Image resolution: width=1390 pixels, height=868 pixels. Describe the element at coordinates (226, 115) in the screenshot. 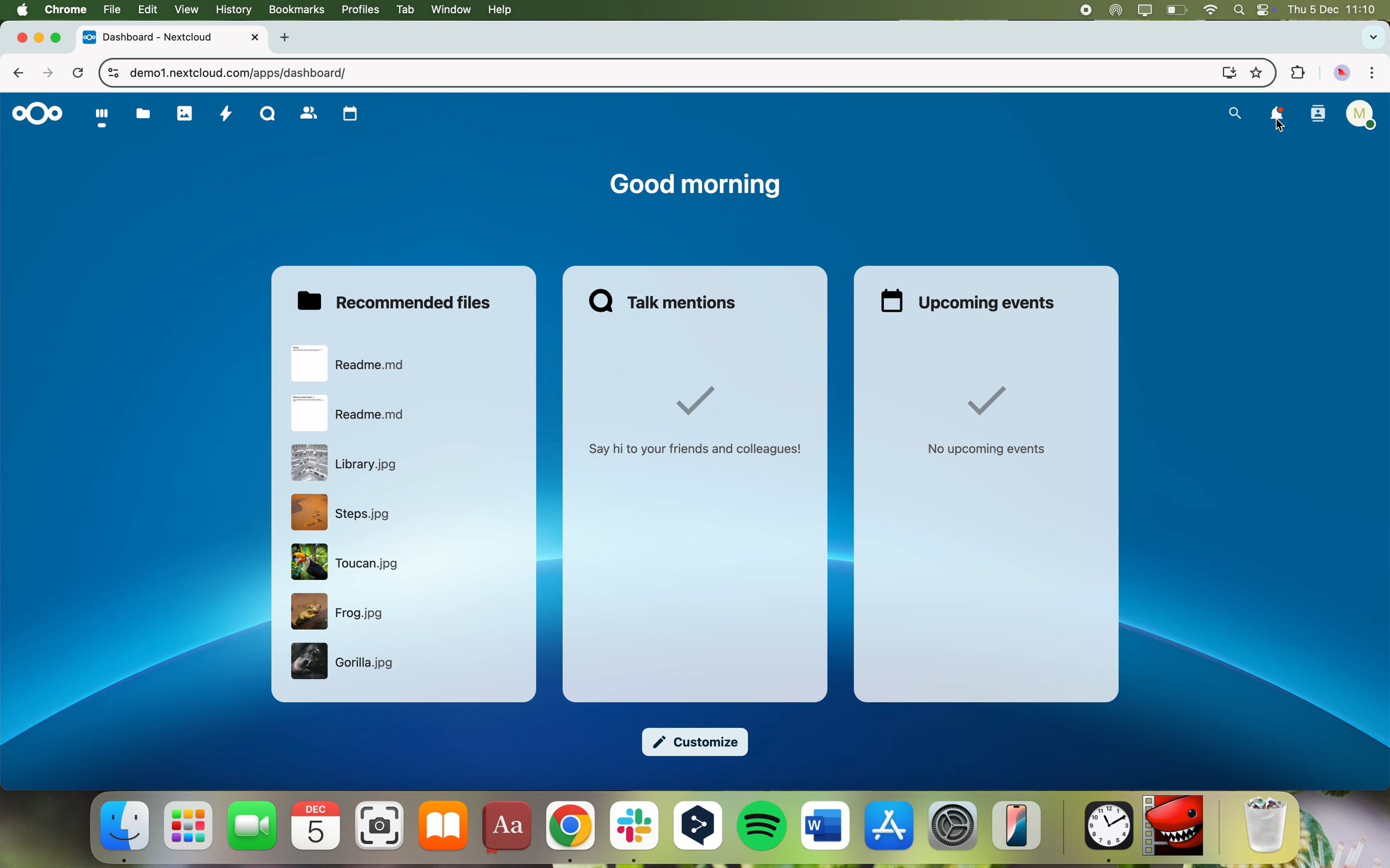

I see `activity` at that location.